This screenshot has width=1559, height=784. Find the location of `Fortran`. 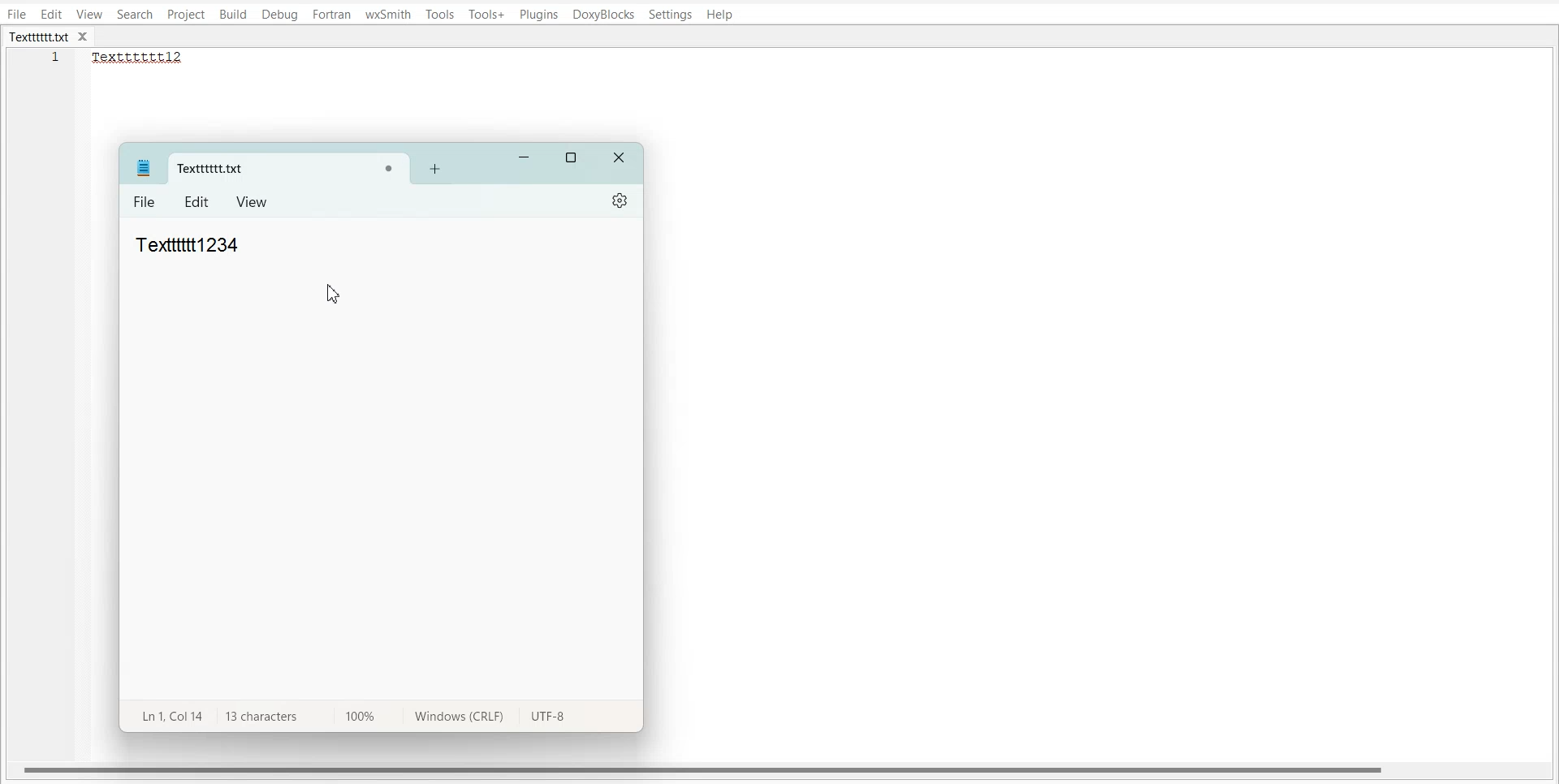

Fortran is located at coordinates (331, 15).